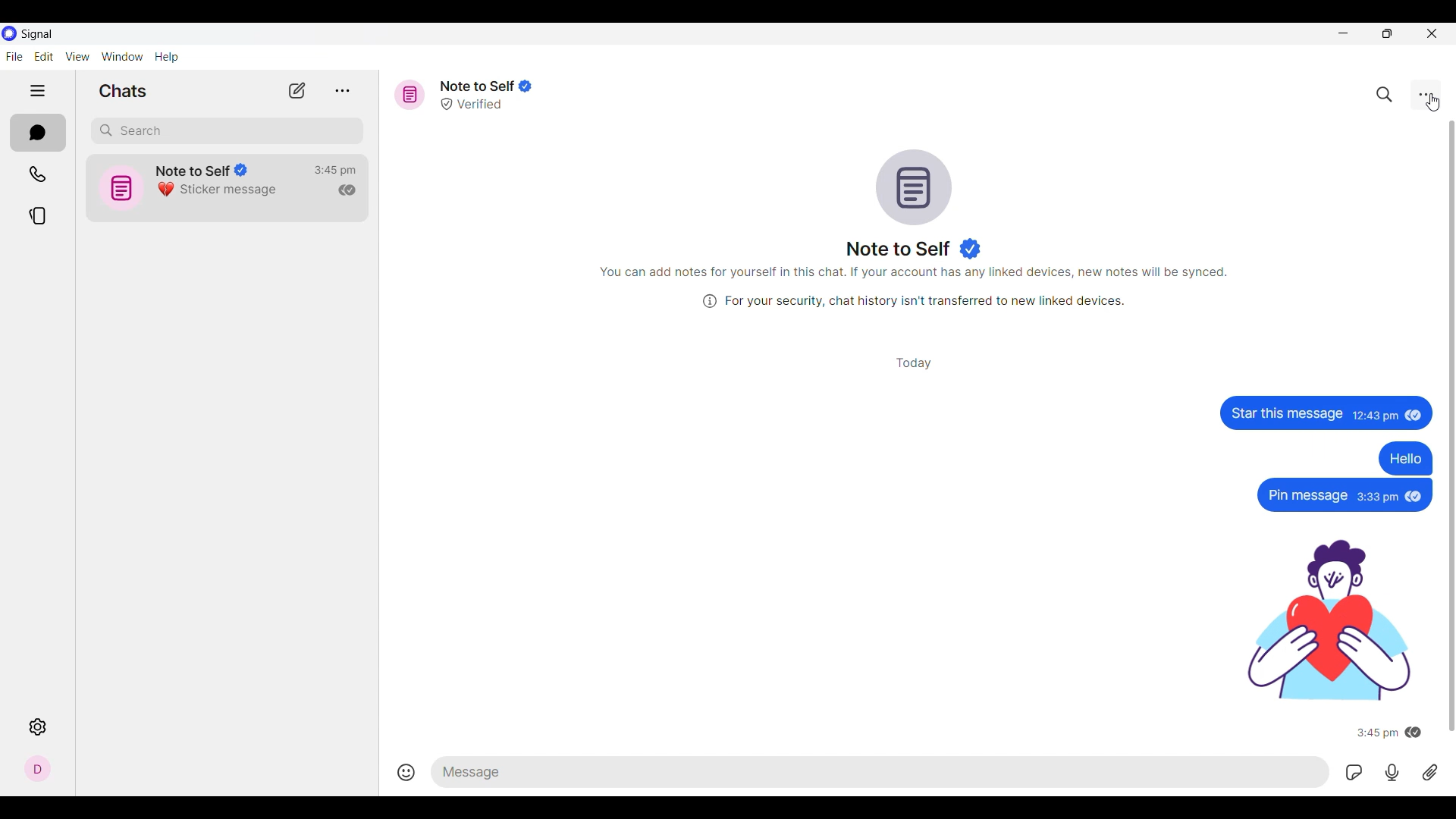 The height and width of the screenshot is (819, 1456). What do you see at coordinates (1429, 772) in the screenshot?
I see `Attachment ` at bounding box center [1429, 772].